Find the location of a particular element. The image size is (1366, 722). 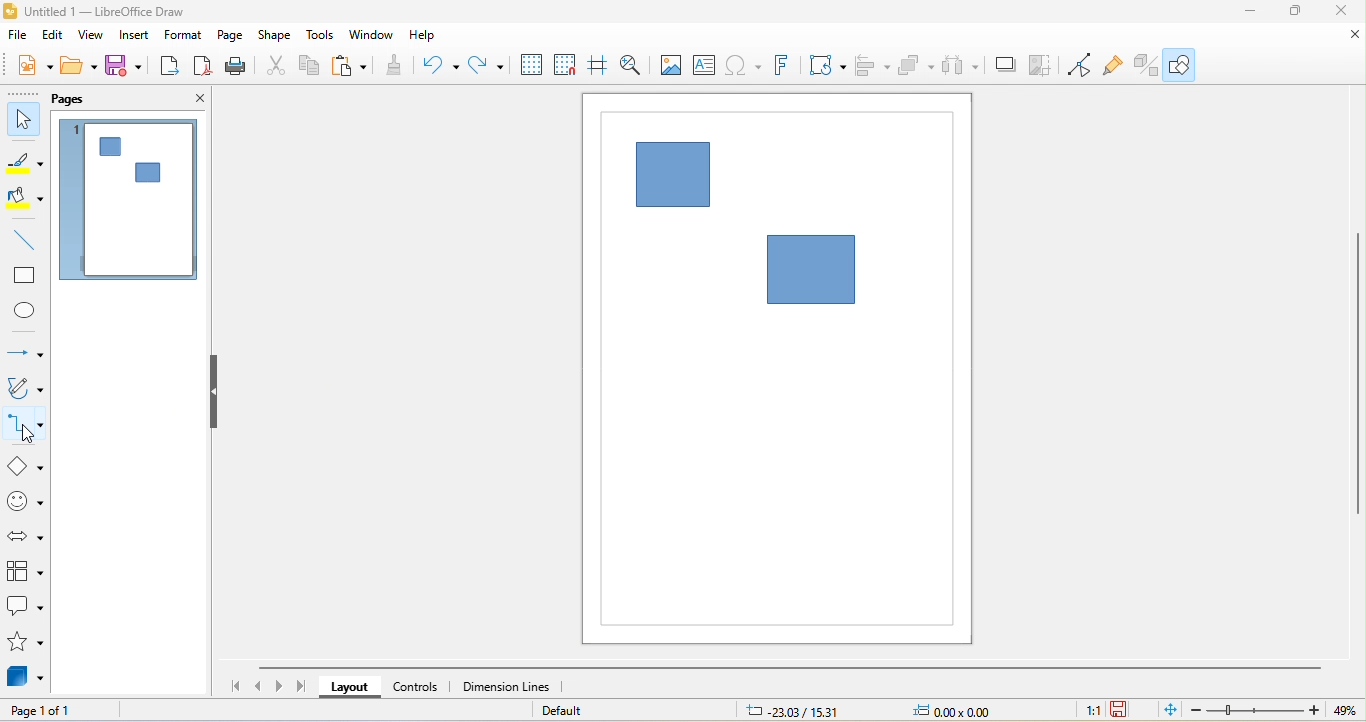

flow chart is located at coordinates (27, 572).